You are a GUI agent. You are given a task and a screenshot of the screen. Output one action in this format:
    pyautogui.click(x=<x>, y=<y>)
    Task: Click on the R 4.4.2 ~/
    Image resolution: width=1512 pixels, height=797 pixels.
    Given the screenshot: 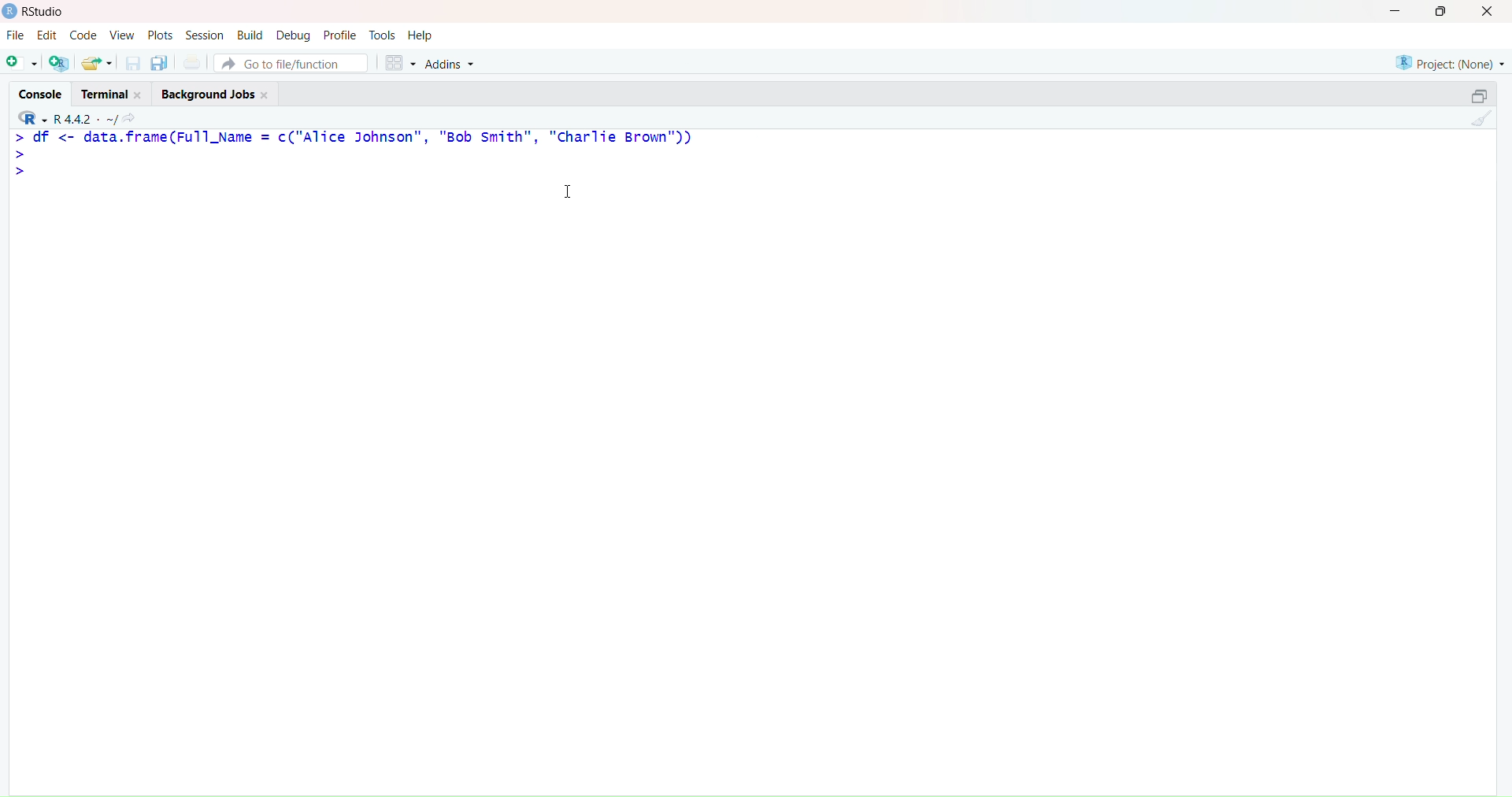 What is the action you would take?
    pyautogui.click(x=87, y=117)
    